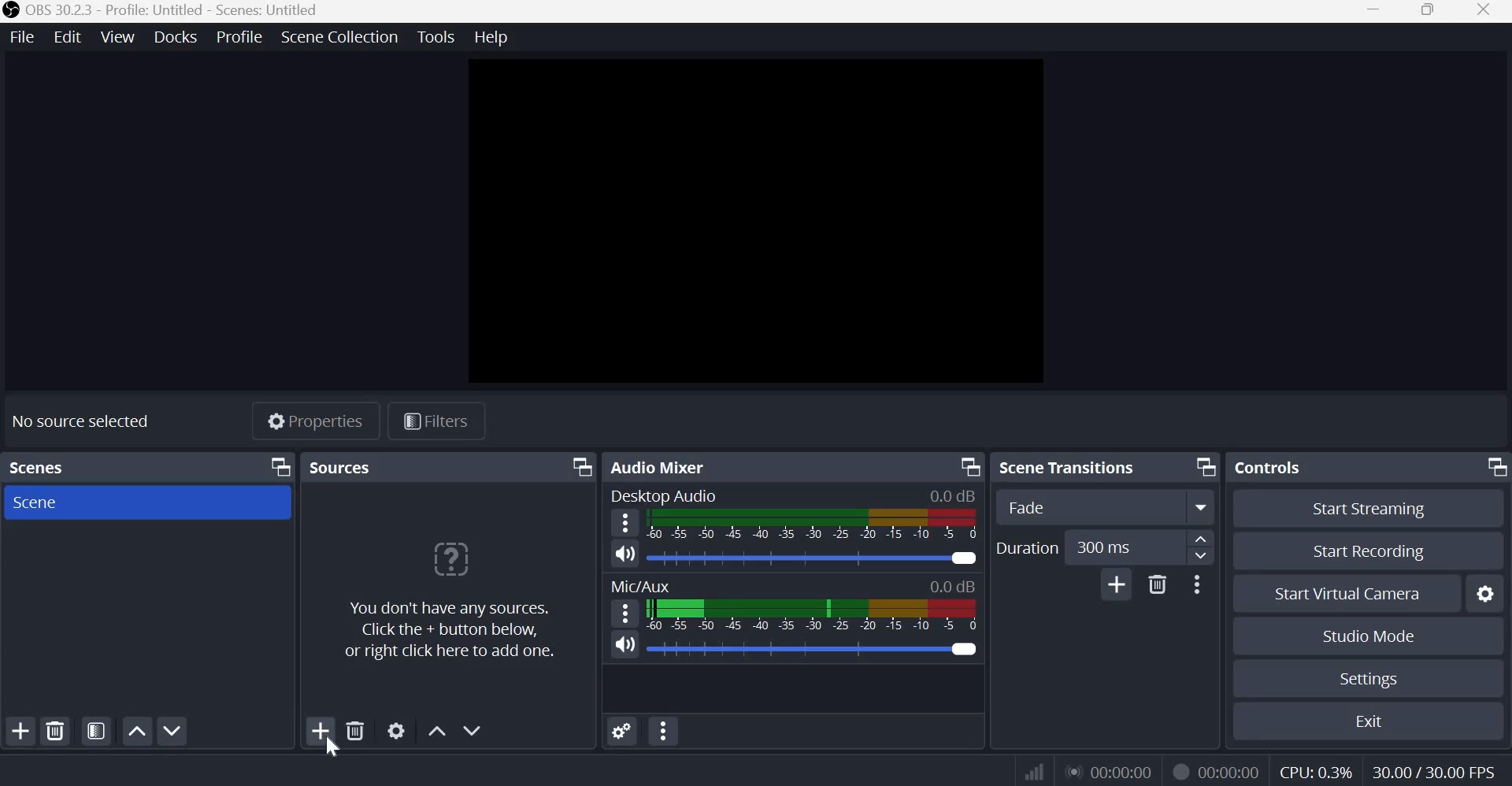 This screenshot has width=1512, height=786. I want to click on Scene transitions, so click(1072, 466).